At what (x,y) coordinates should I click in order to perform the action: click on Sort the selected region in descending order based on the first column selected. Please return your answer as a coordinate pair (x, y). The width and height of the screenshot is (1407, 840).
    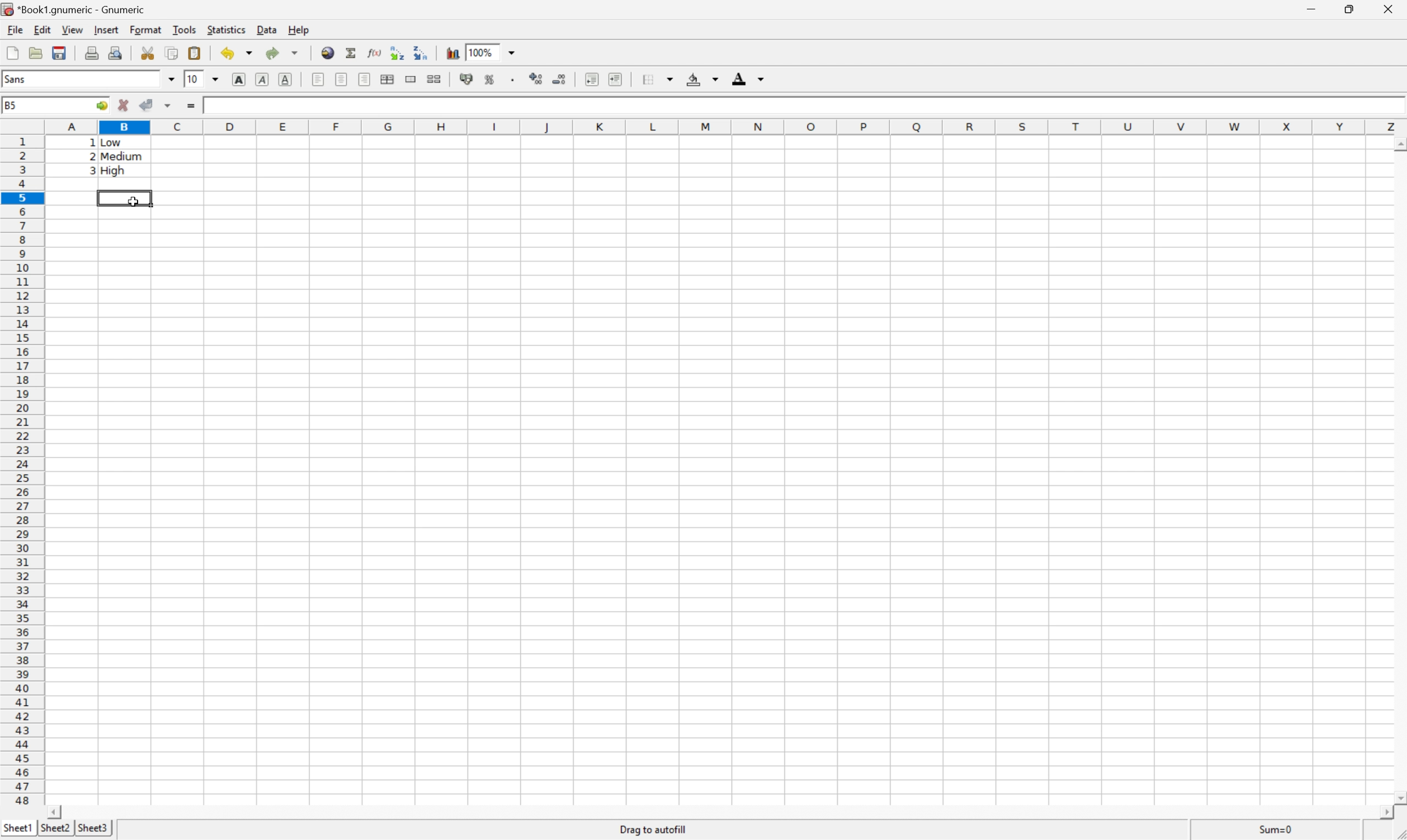
    Looking at the image, I should click on (423, 54).